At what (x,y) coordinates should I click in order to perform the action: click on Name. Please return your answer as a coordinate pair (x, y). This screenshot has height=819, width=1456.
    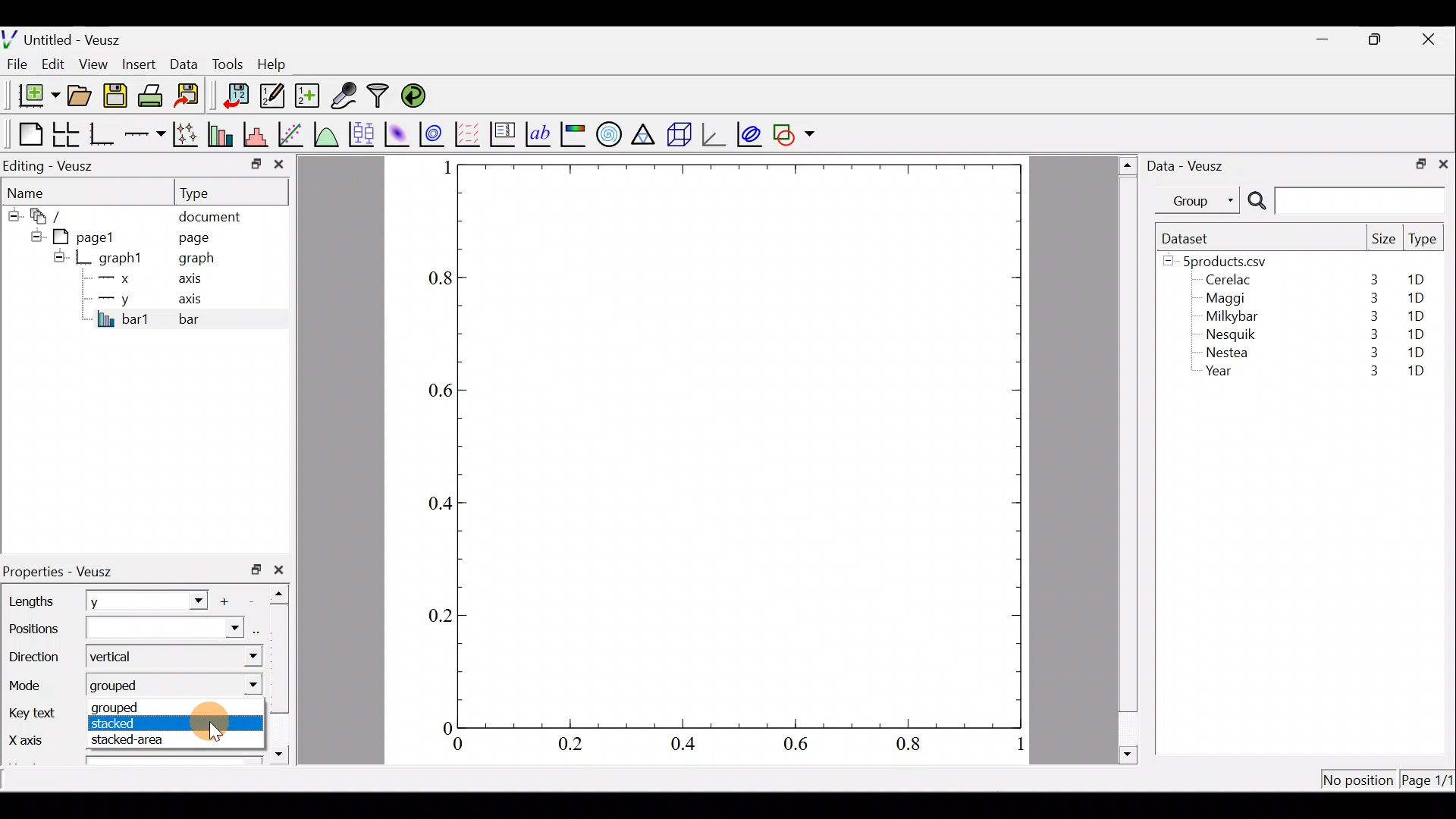
    Looking at the image, I should click on (36, 191).